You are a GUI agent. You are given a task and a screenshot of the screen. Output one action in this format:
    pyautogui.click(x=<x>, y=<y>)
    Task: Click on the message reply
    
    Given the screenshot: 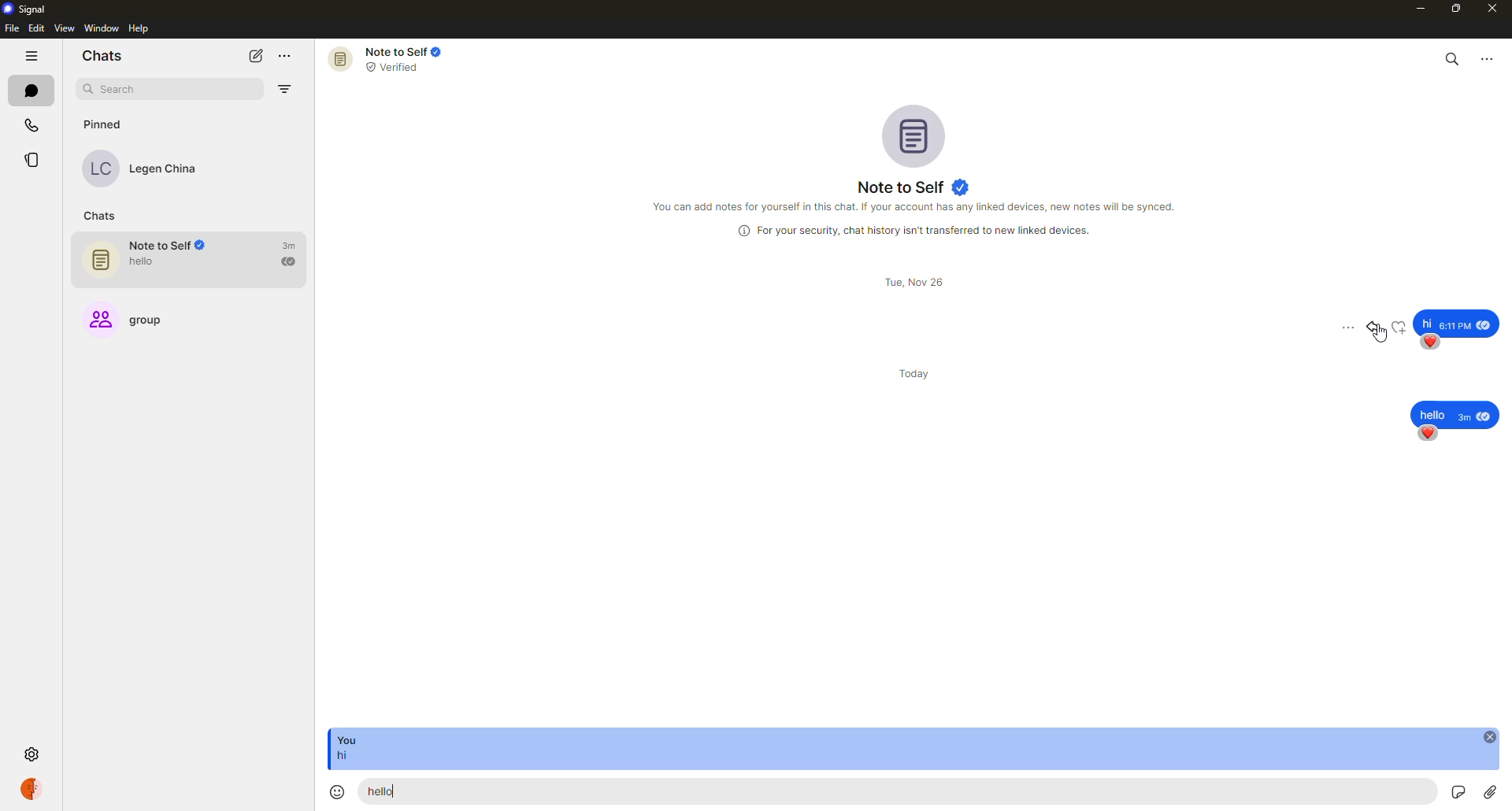 What is the action you would take?
    pyautogui.click(x=360, y=749)
    